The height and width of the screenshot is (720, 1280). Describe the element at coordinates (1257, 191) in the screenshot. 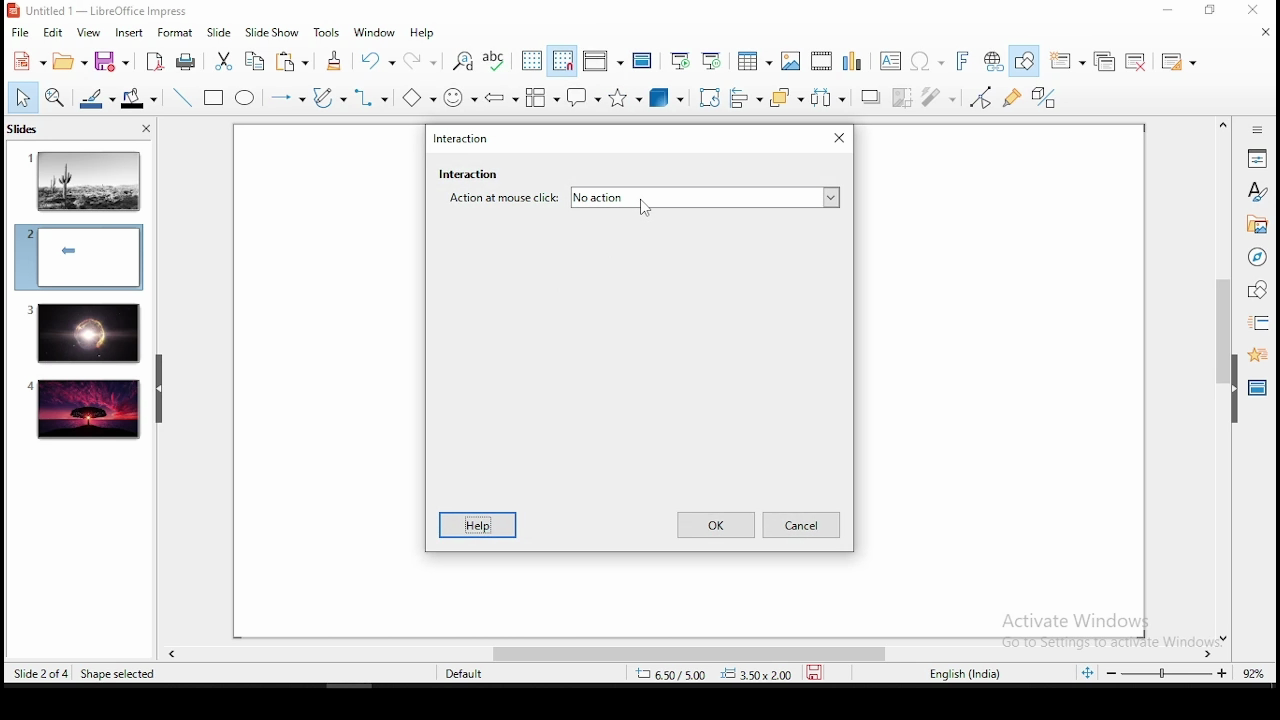

I see `styles` at that location.